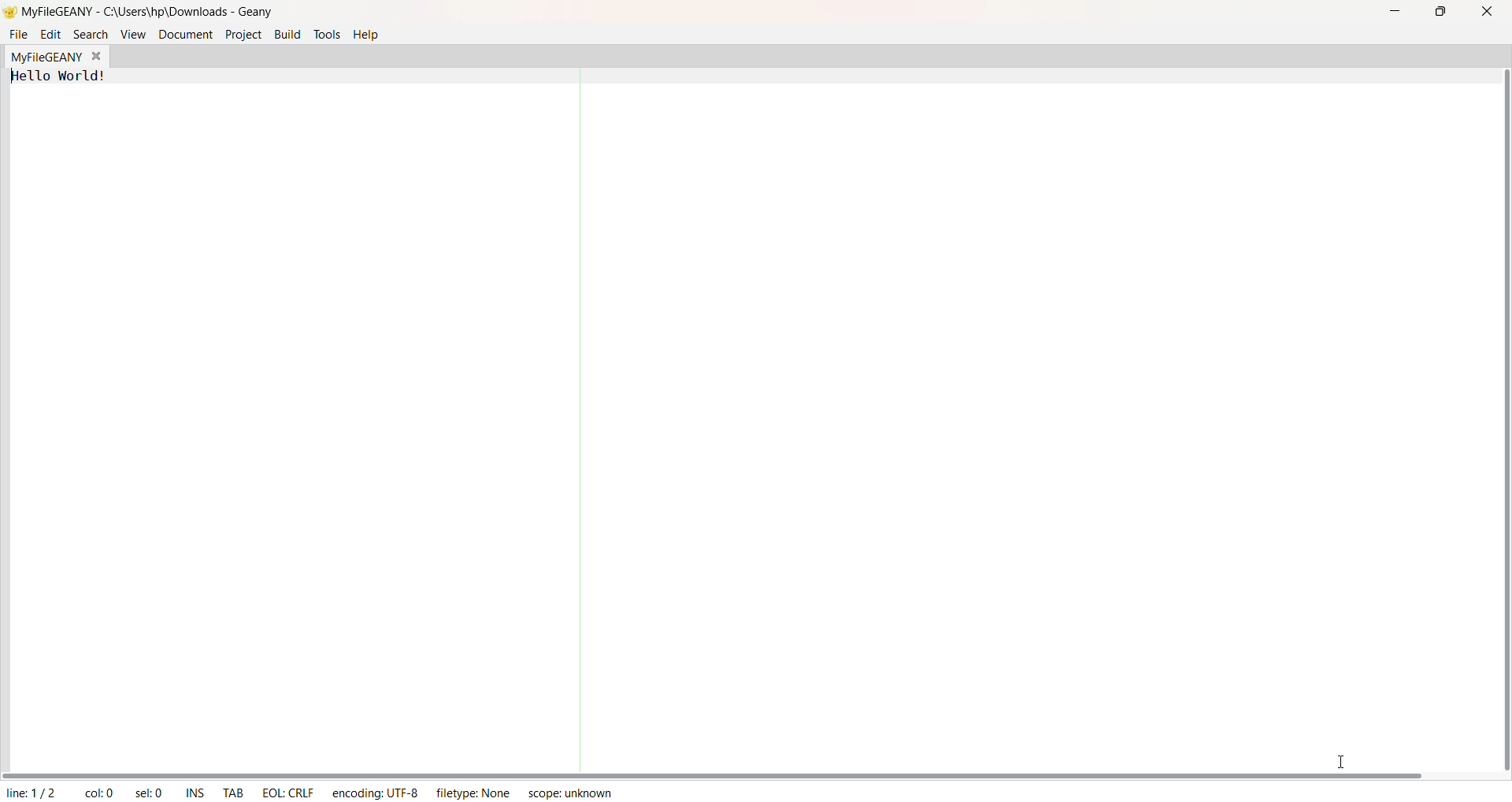  Describe the element at coordinates (18, 43) in the screenshot. I see `cursor` at that location.